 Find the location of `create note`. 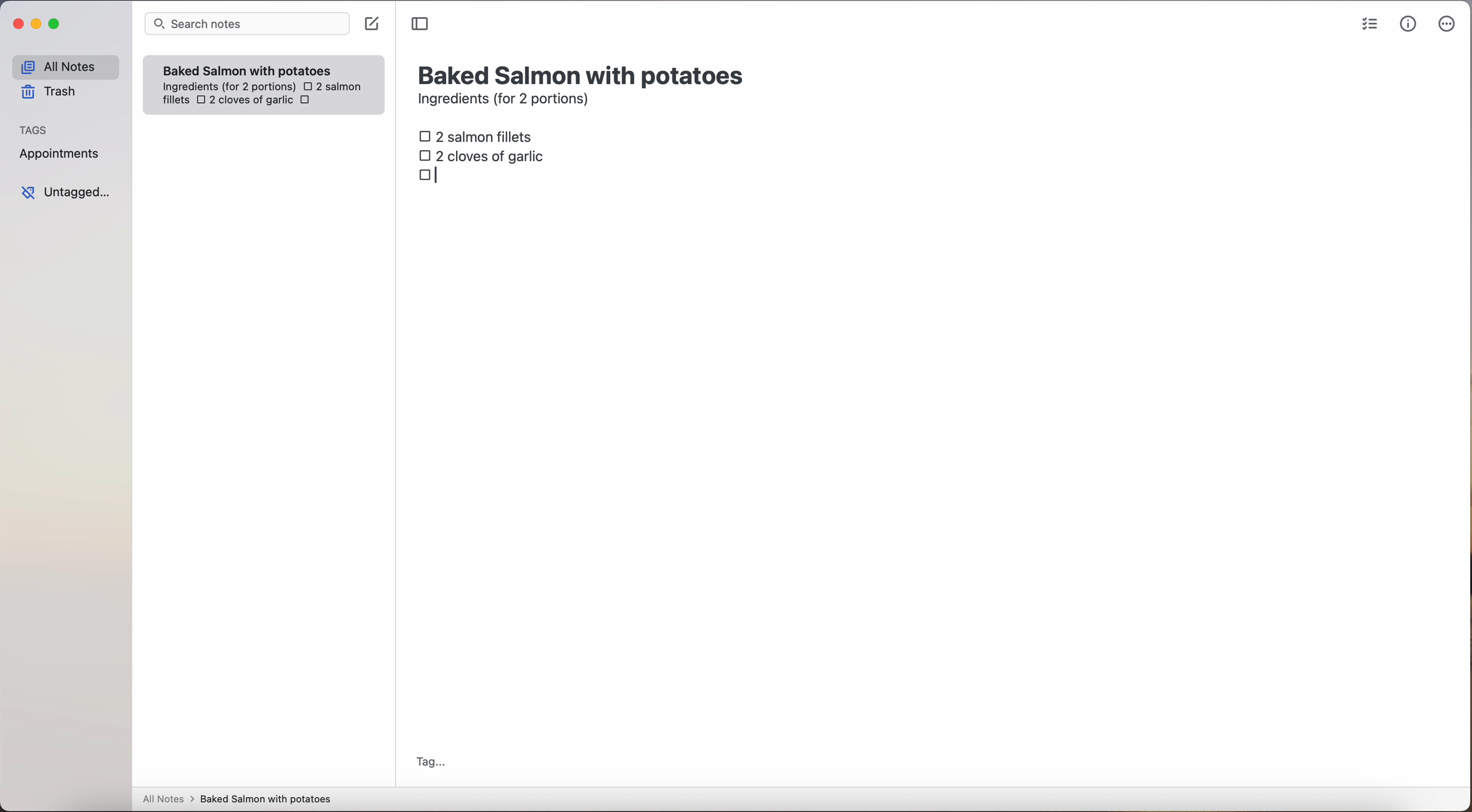

create note is located at coordinates (371, 24).